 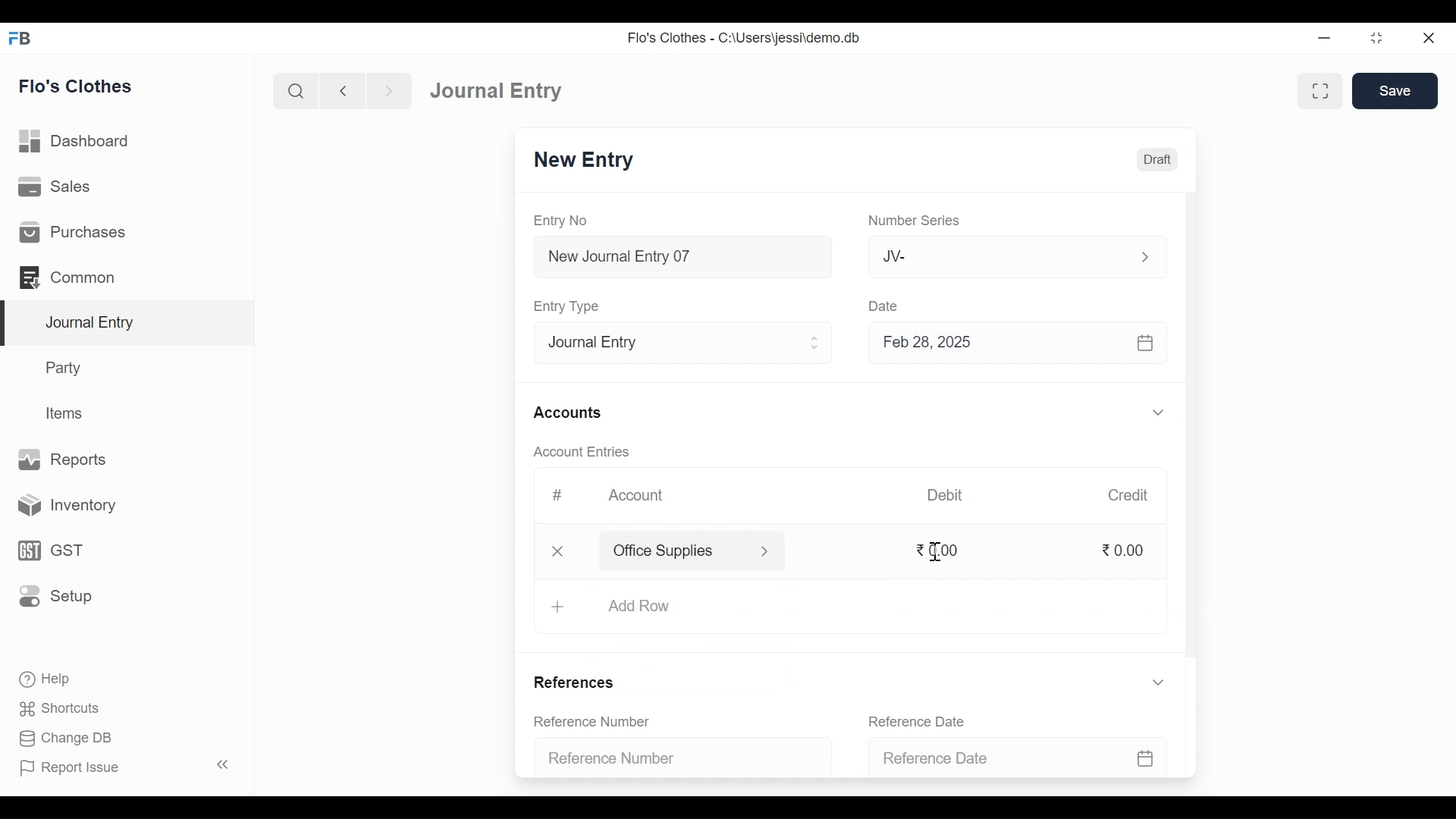 I want to click on Credit, so click(x=1129, y=496).